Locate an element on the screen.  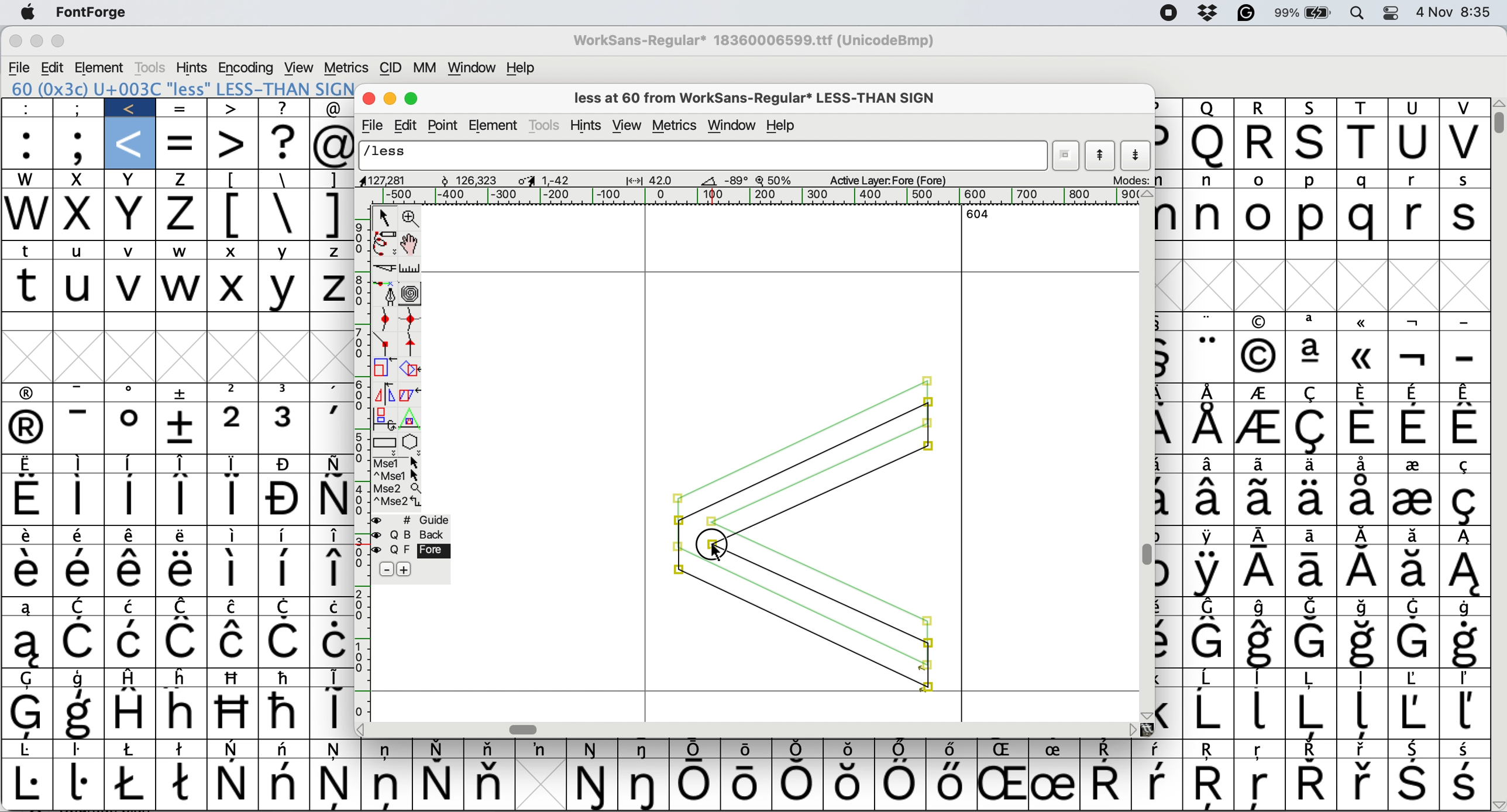
Symbol is located at coordinates (29, 465).